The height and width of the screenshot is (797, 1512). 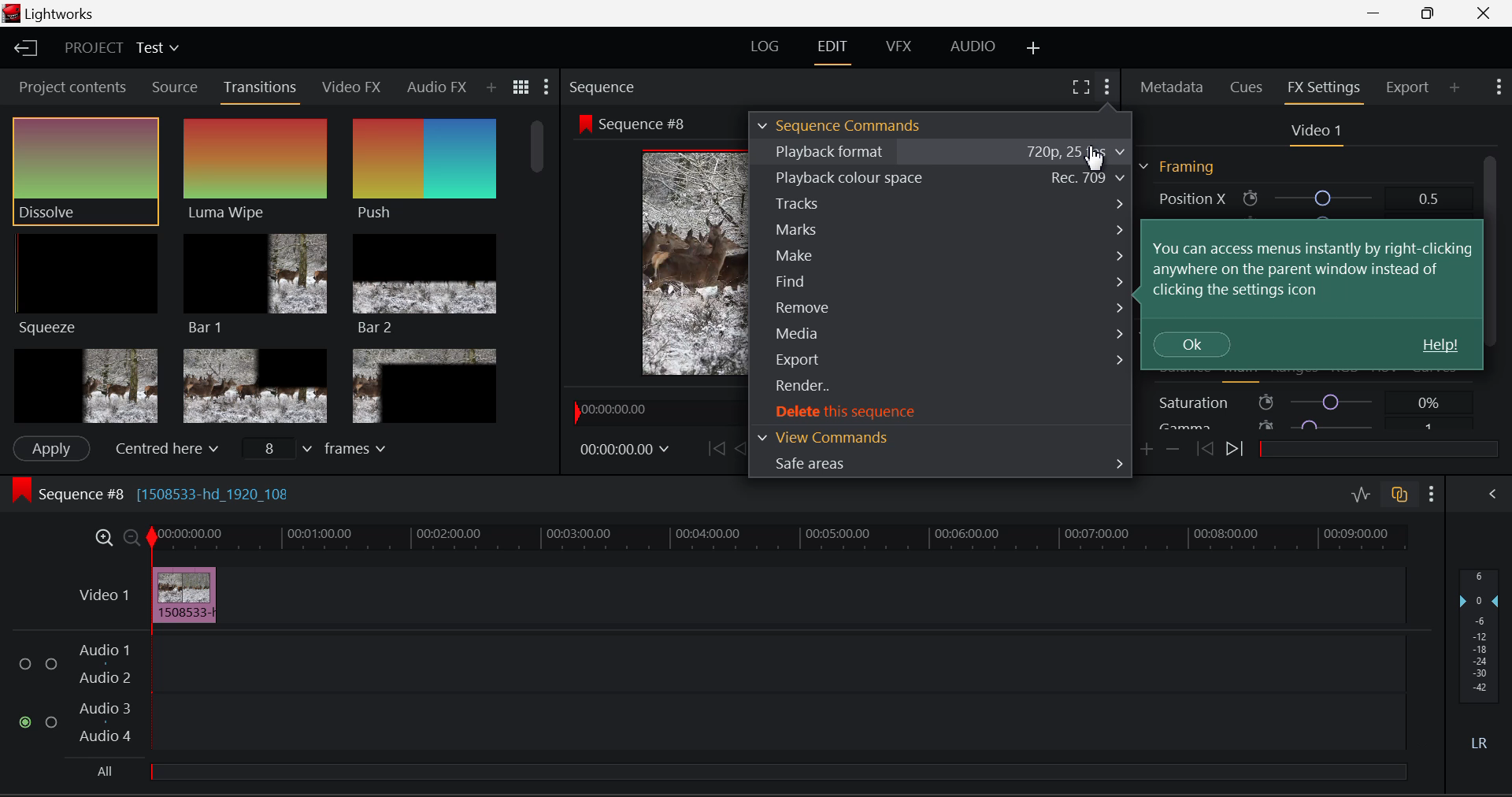 I want to click on Show Settings, so click(x=1430, y=493).